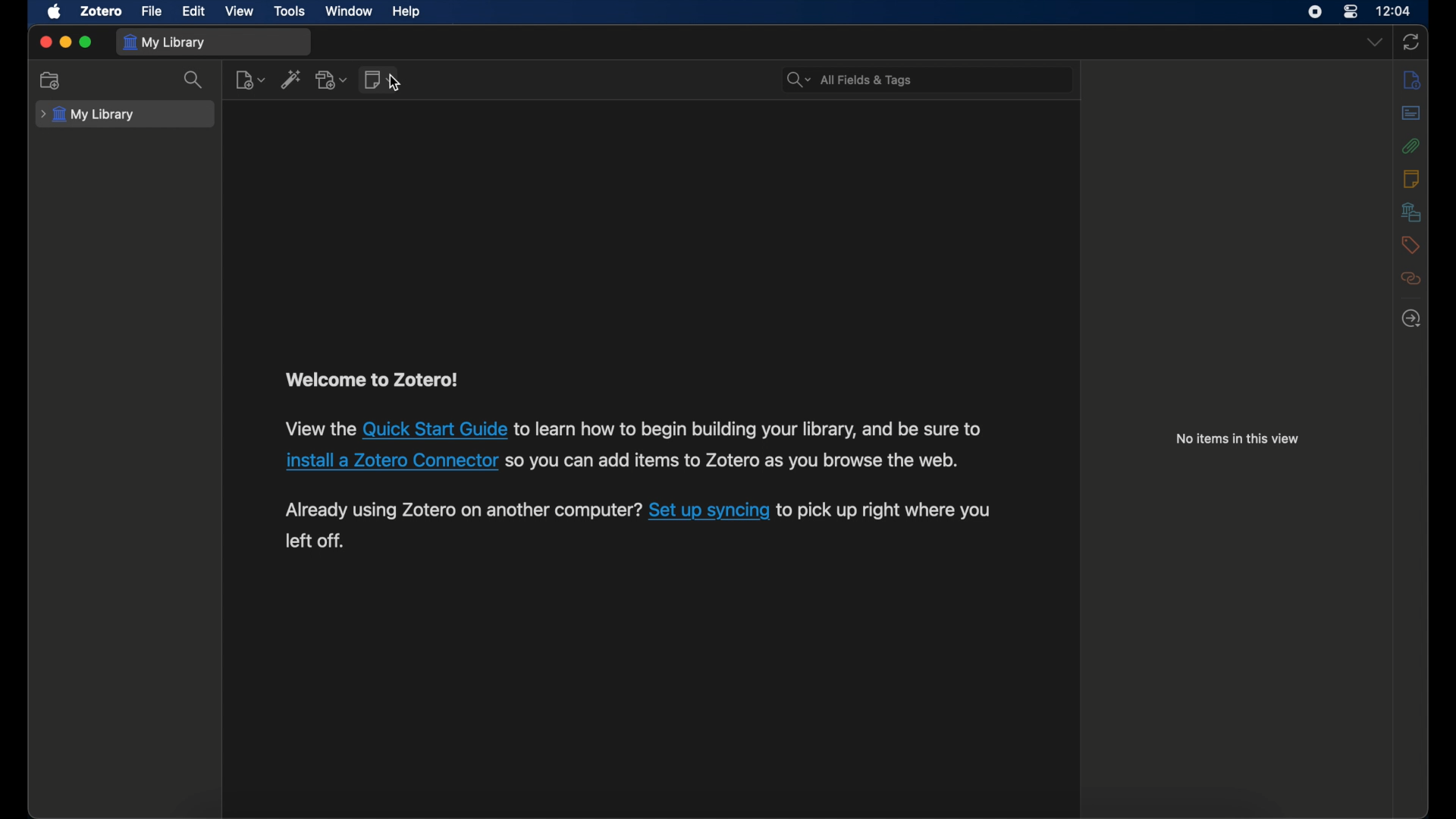 The width and height of the screenshot is (1456, 819). What do you see at coordinates (1412, 178) in the screenshot?
I see `notes` at bounding box center [1412, 178].